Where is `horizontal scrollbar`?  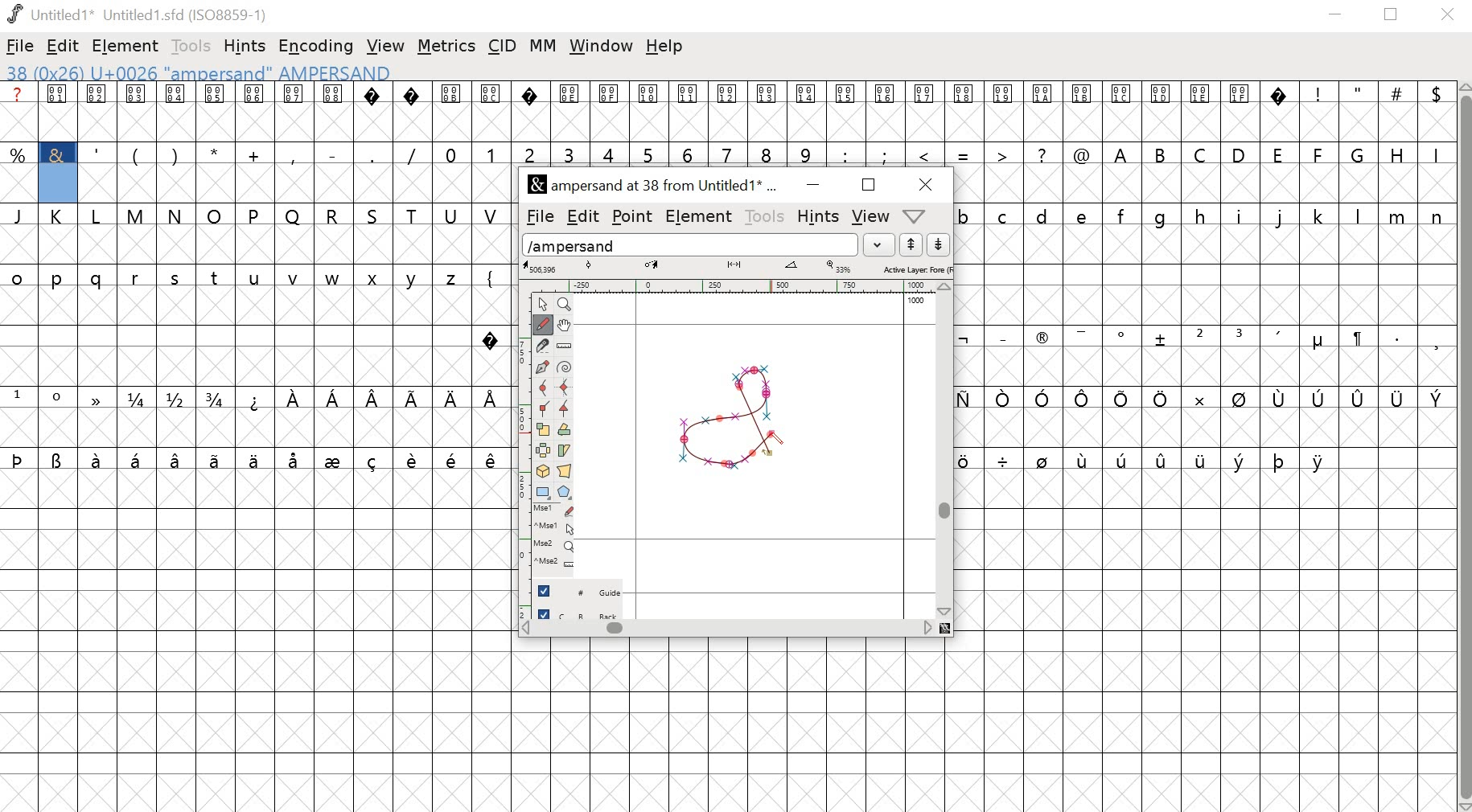
horizontal scrollbar is located at coordinates (735, 629).